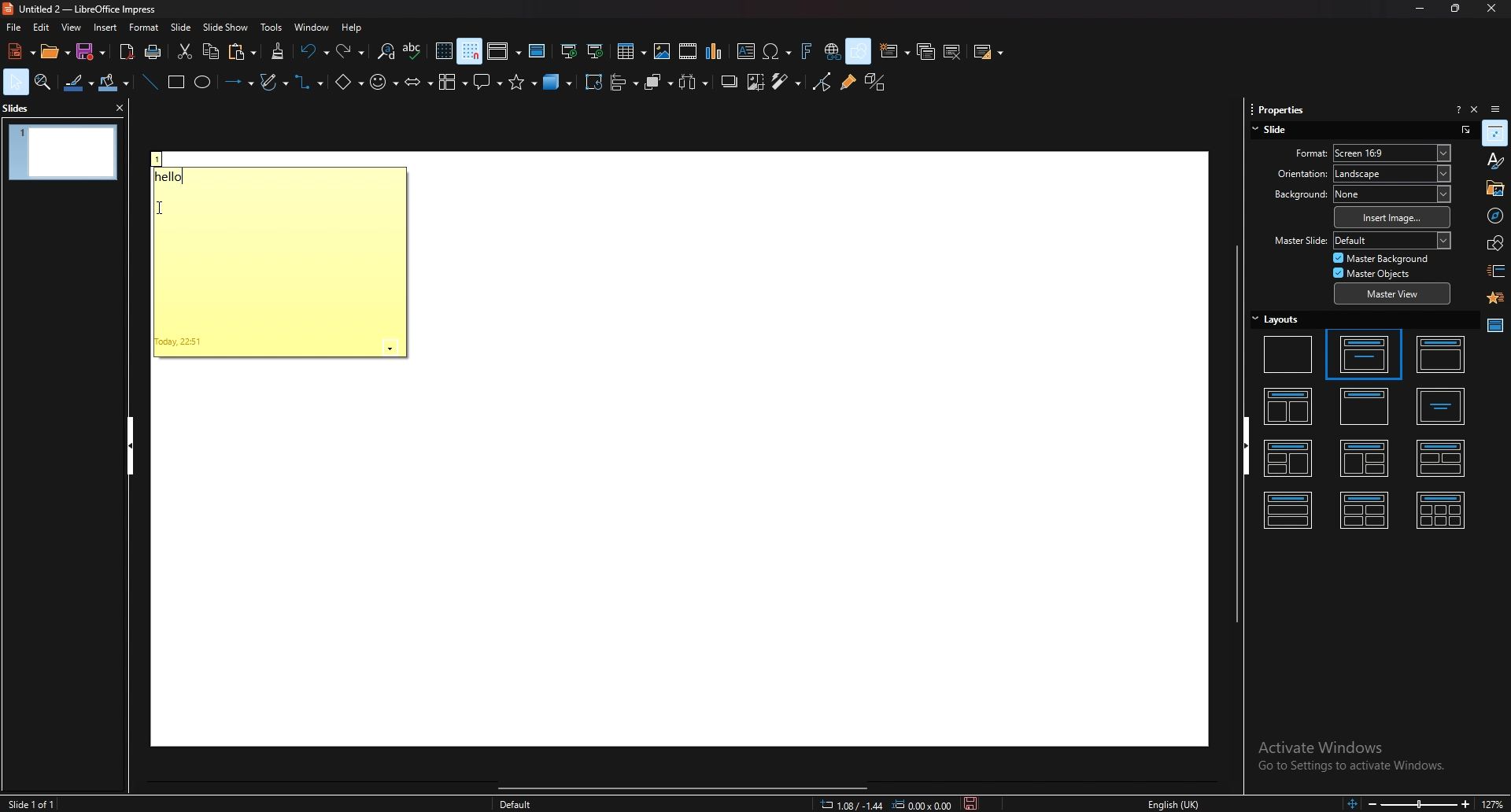 The height and width of the screenshot is (812, 1511). What do you see at coordinates (145, 27) in the screenshot?
I see `format` at bounding box center [145, 27].